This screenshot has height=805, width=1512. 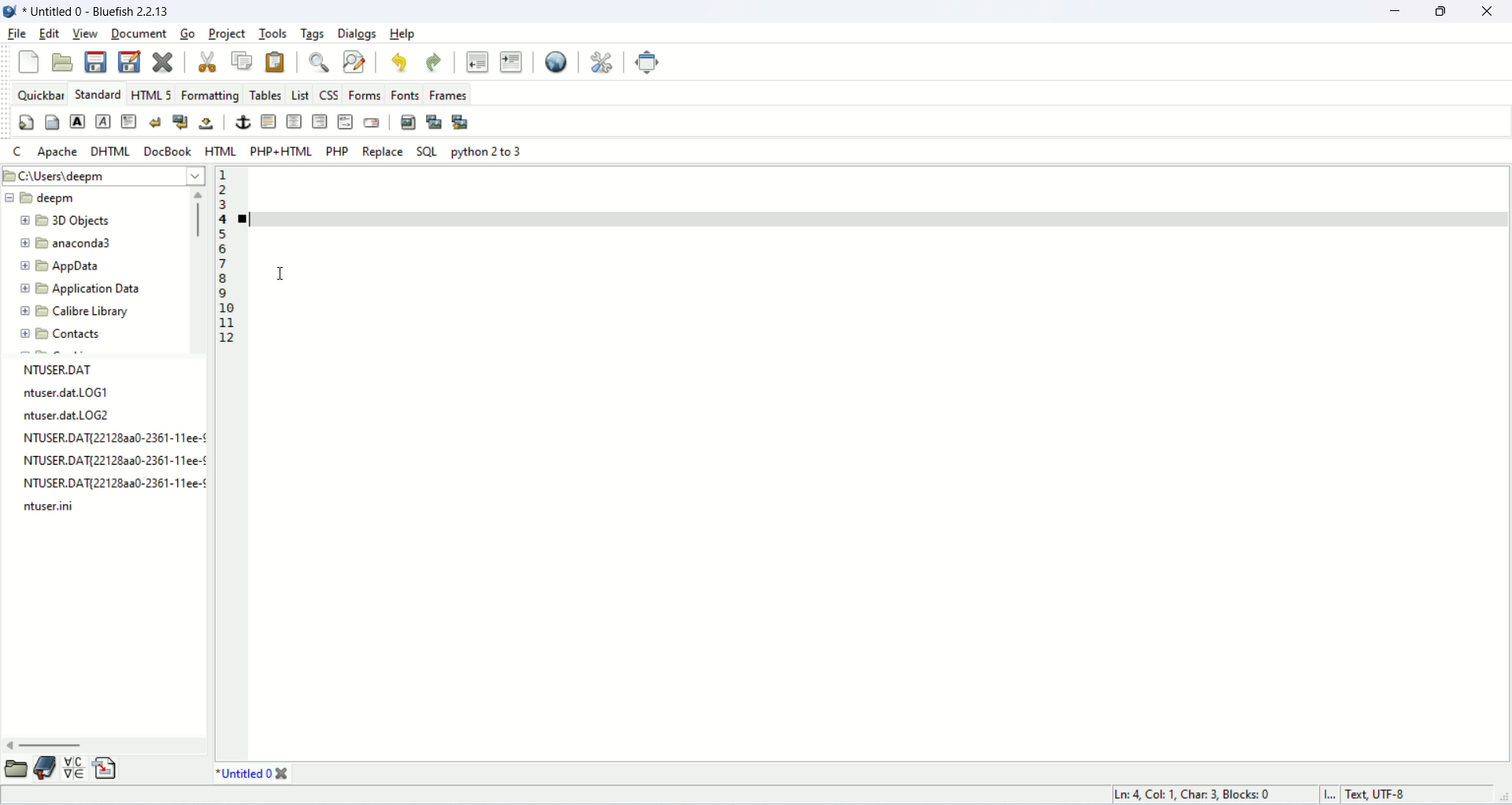 What do you see at coordinates (17, 771) in the screenshot?
I see `file explorer` at bounding box center [17, 771].